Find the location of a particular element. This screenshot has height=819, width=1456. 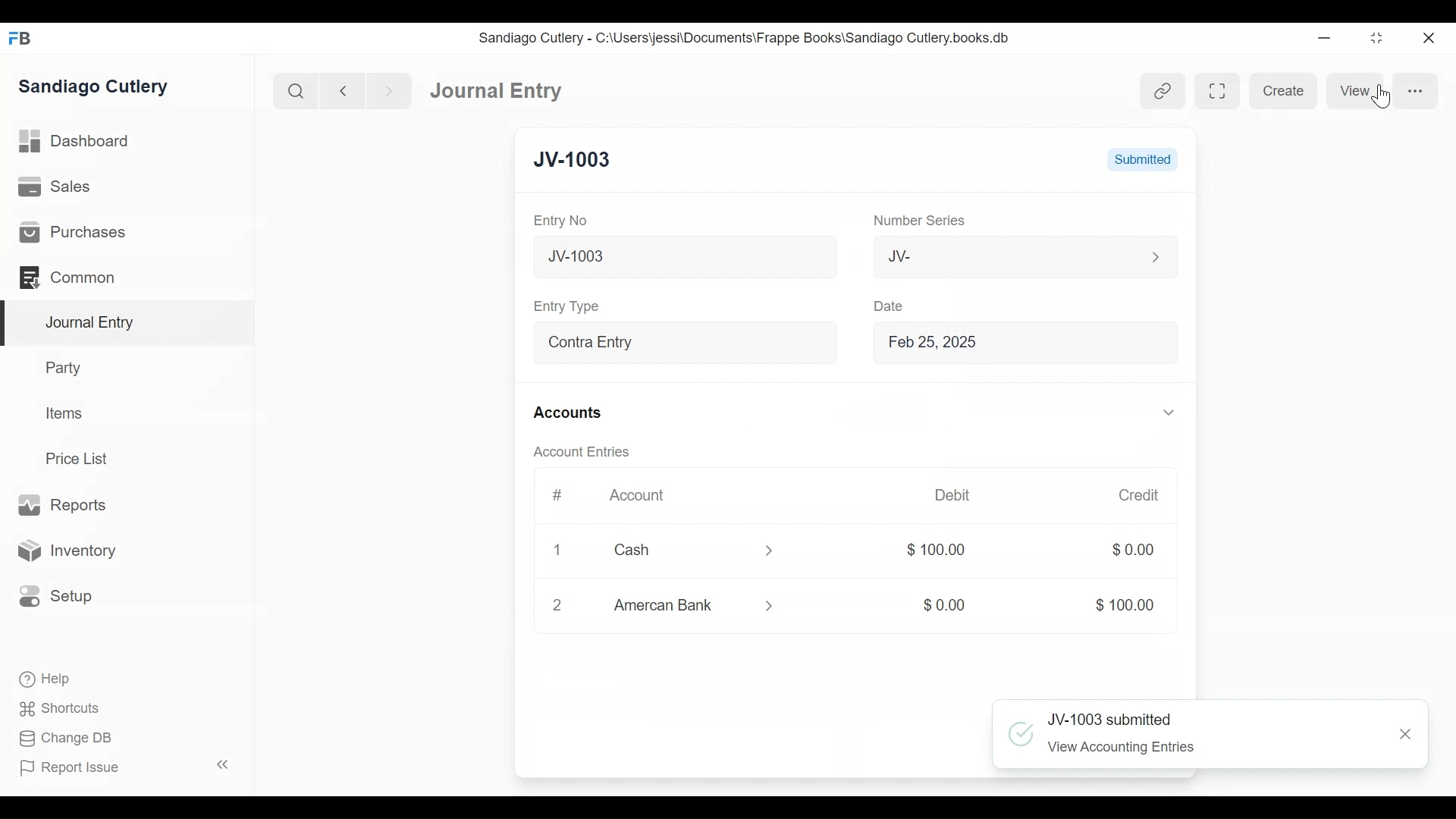

Entry Type is located at coordinates (571, 306).